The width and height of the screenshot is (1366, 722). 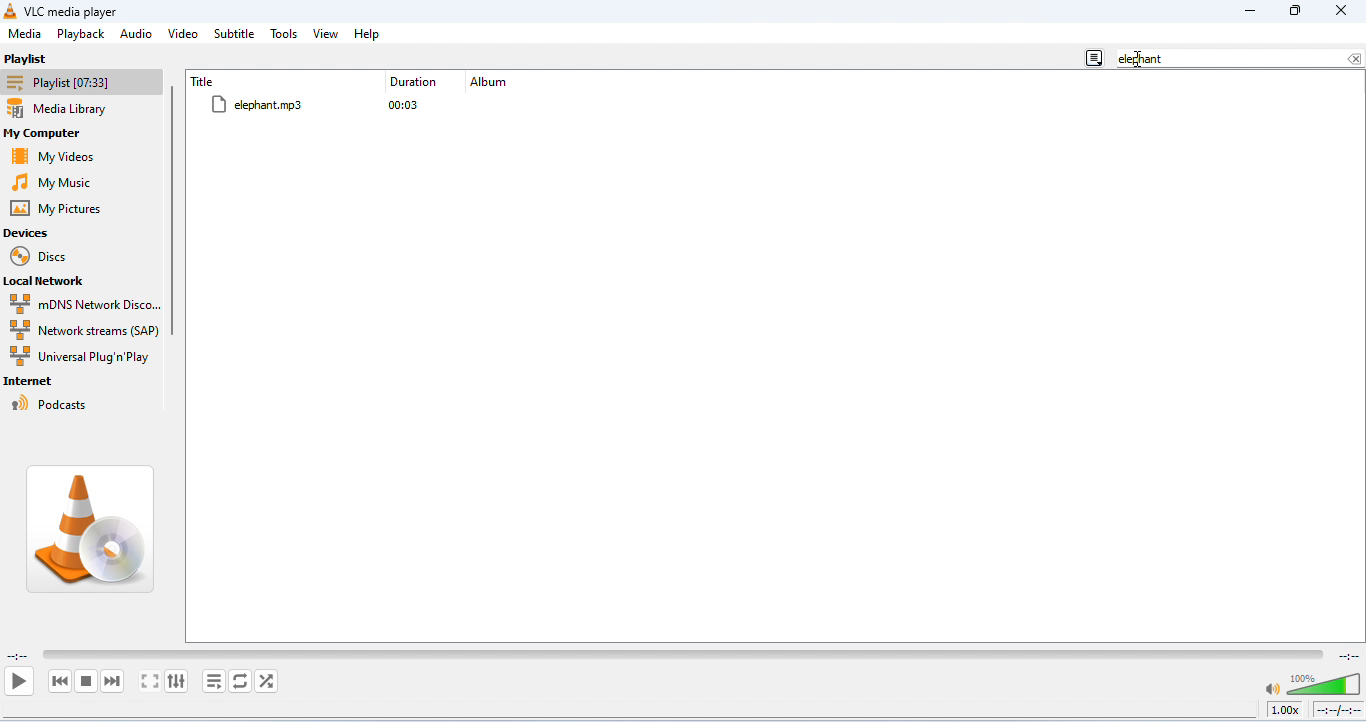 I want to click on Search: elephant, so click(x=1241, y=58).